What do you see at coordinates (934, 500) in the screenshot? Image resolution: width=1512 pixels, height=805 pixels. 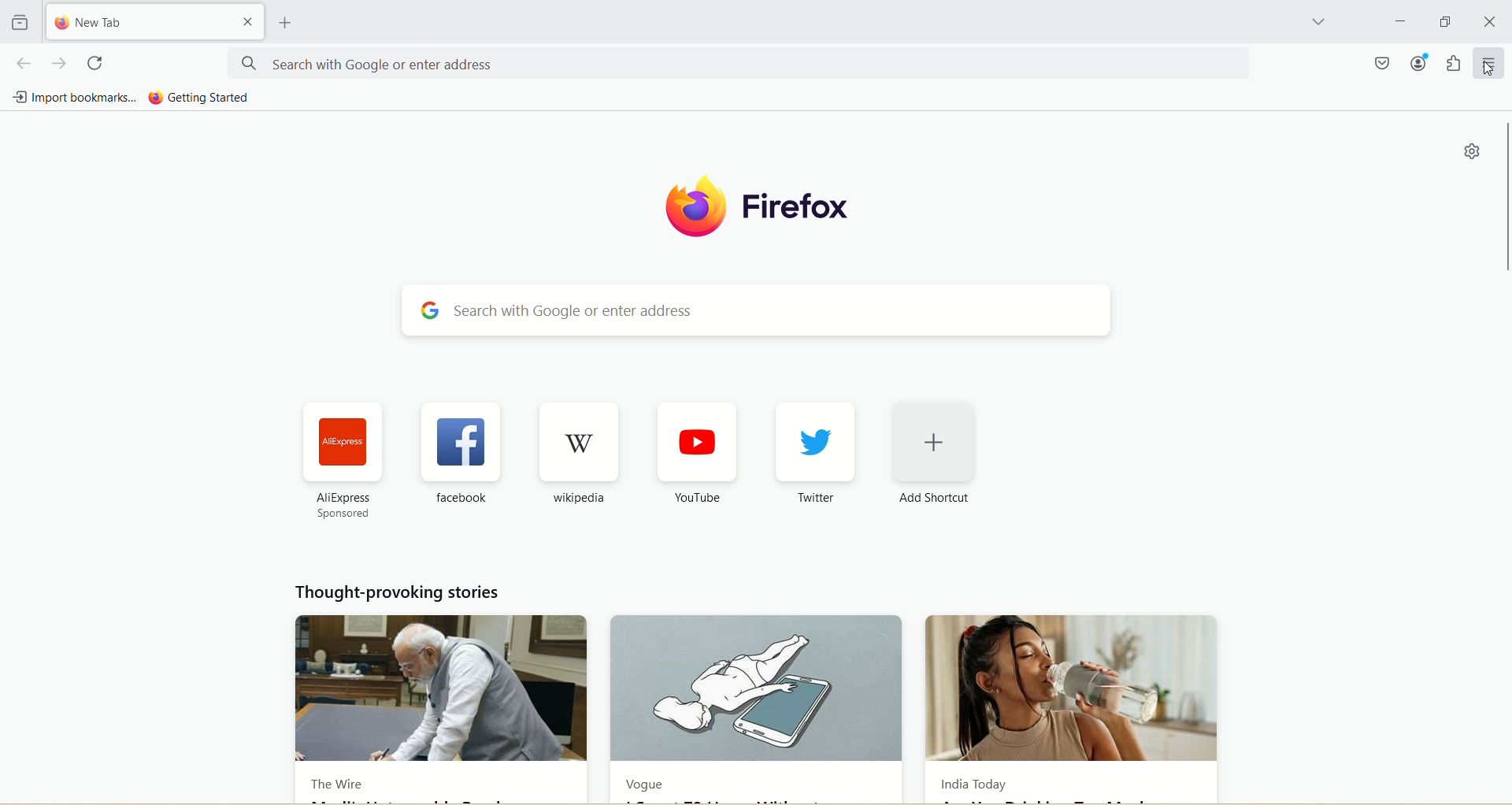 I see `Add Shortcut` at bounding box center [934, 500].